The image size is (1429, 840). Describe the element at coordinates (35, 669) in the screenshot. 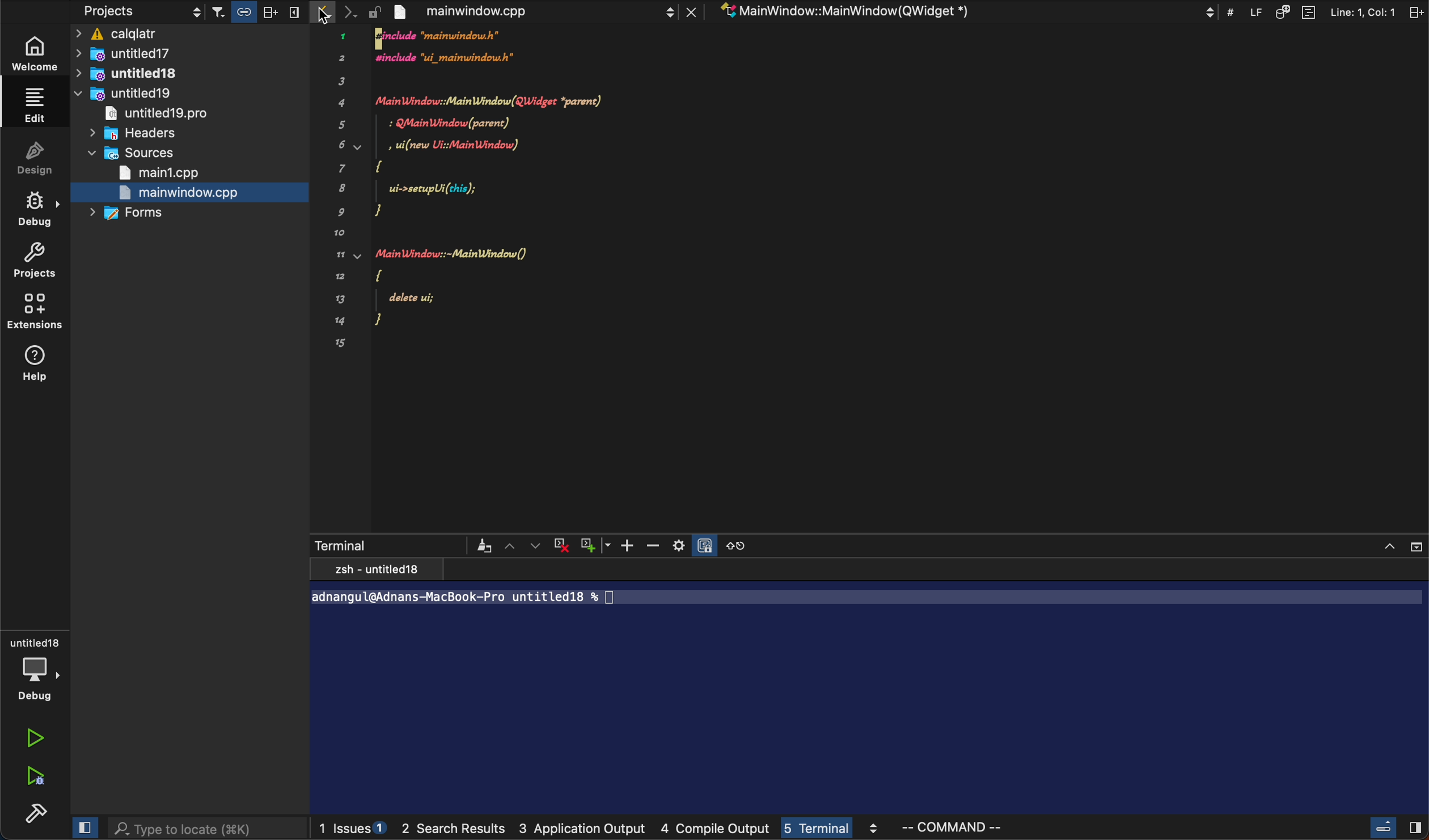

I see `debug` at that location.